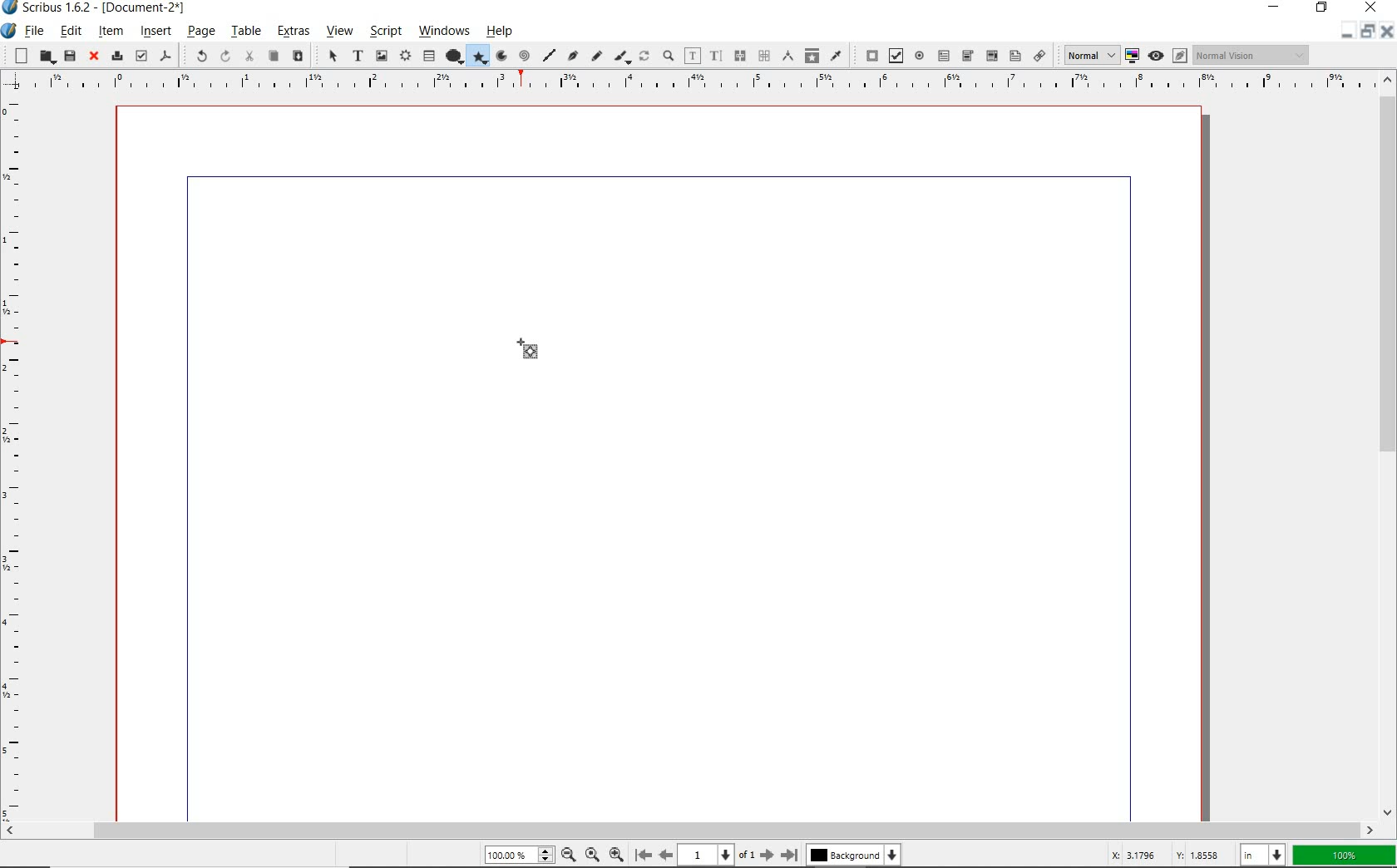 This screenshot has height=868, width=1397. Describe the element at coordinates (430, 56) in the screenshot. I see `table` at that location.